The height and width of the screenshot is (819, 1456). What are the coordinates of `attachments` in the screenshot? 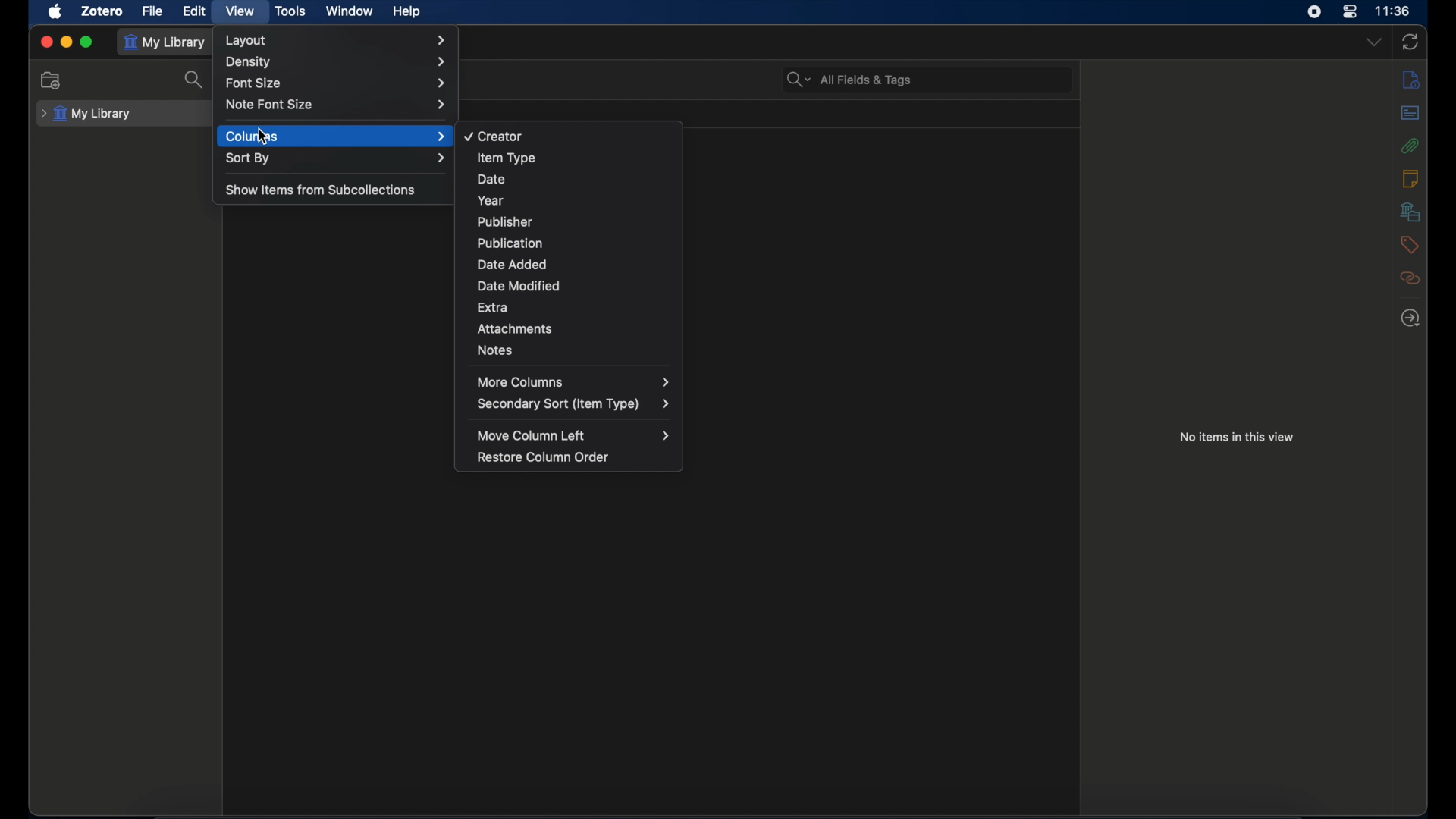 It's located at (515, 328).